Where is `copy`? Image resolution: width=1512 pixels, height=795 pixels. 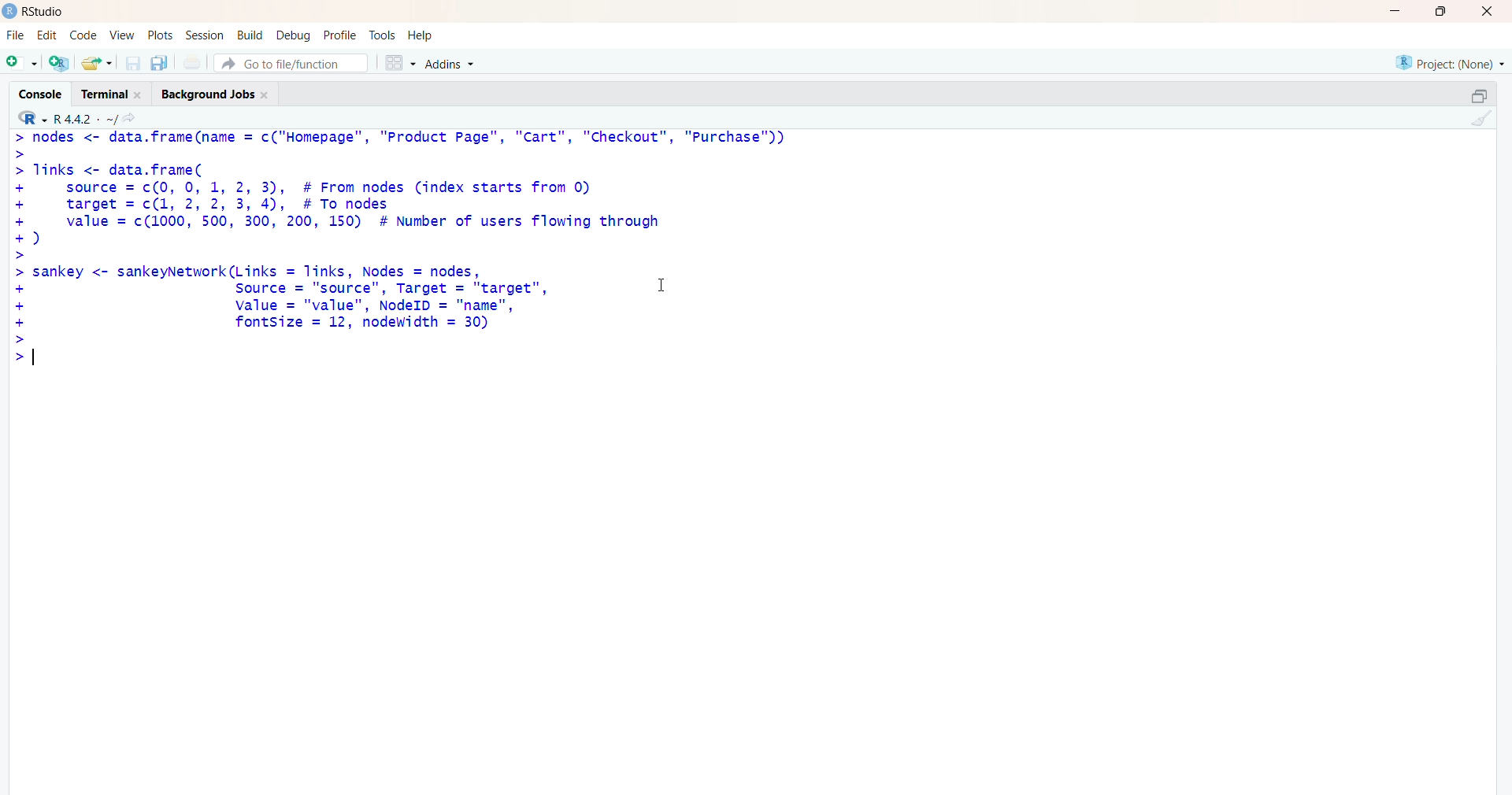
copy is located at coordinates (1468, 93).